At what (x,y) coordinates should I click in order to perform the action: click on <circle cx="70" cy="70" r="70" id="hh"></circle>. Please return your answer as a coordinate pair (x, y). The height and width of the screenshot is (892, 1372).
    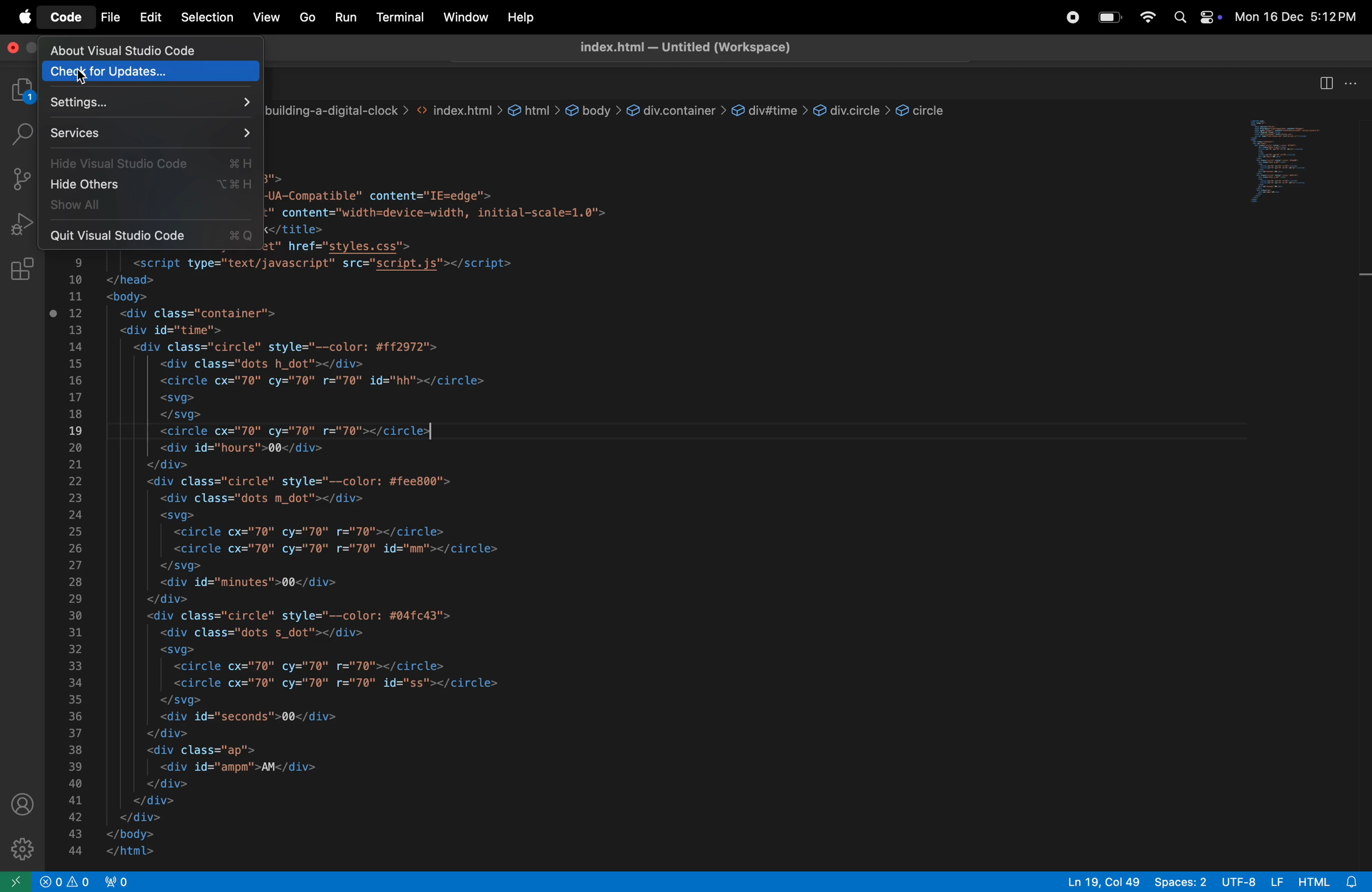
    Looking at the image, I should click on (326, 380).